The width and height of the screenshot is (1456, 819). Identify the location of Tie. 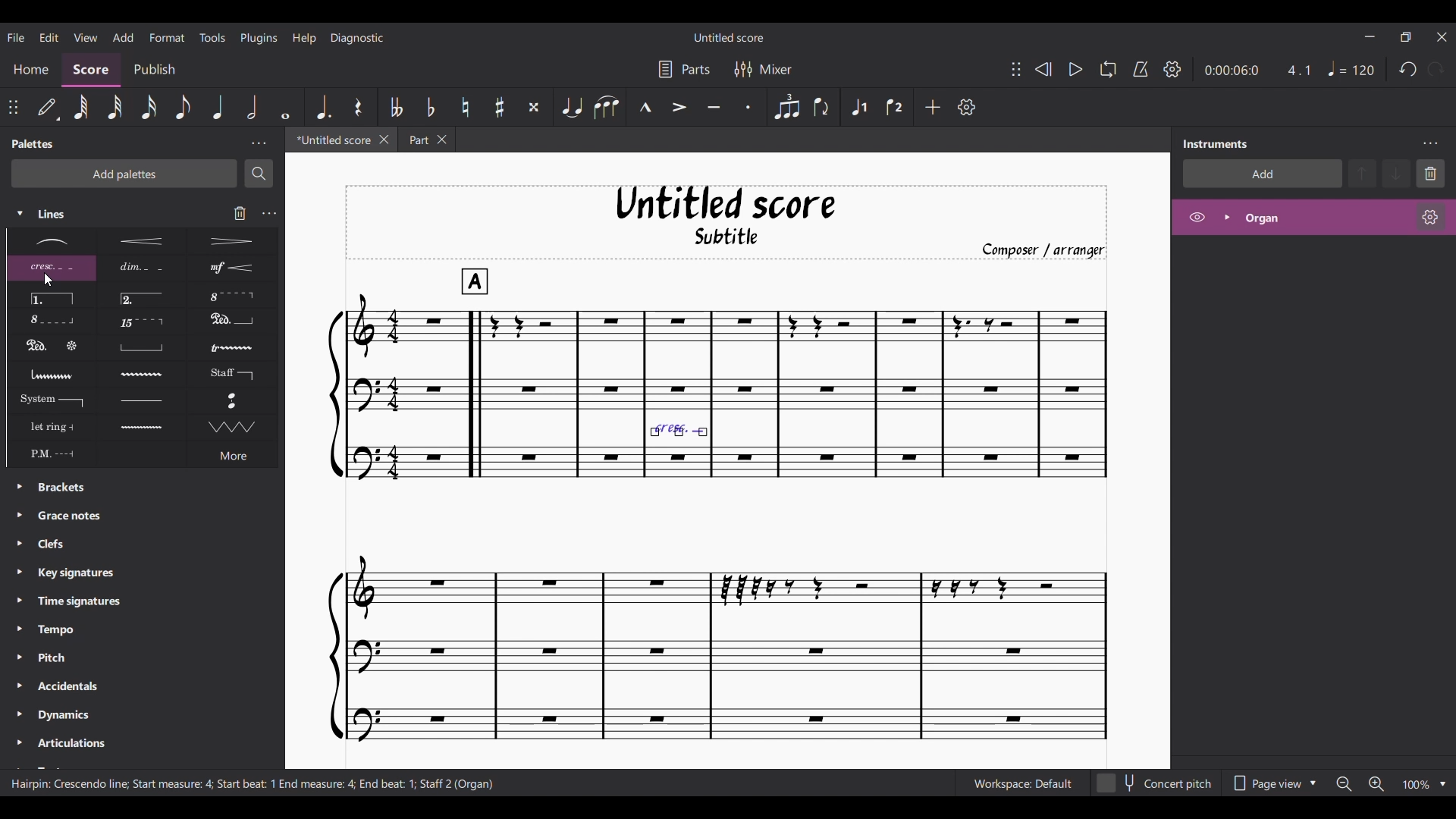
(572, 108).